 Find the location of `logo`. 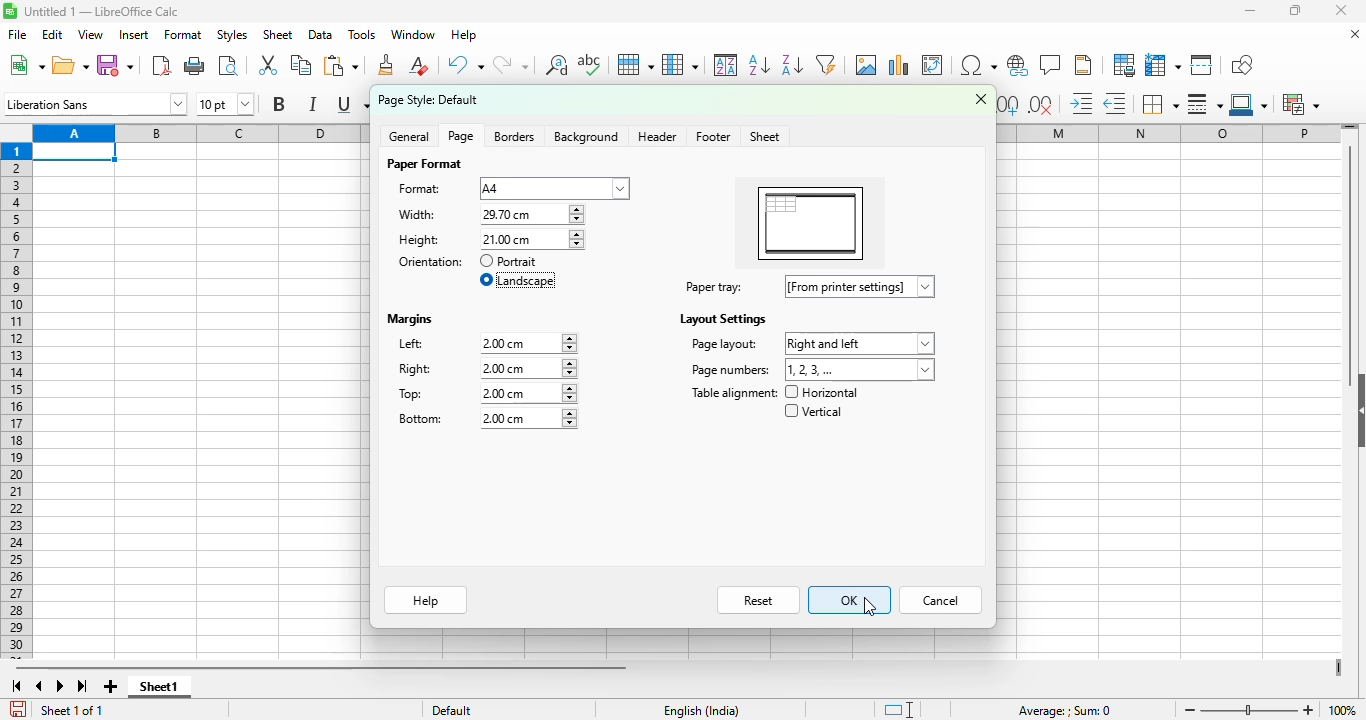

logo is located at coordinates (10, 11).